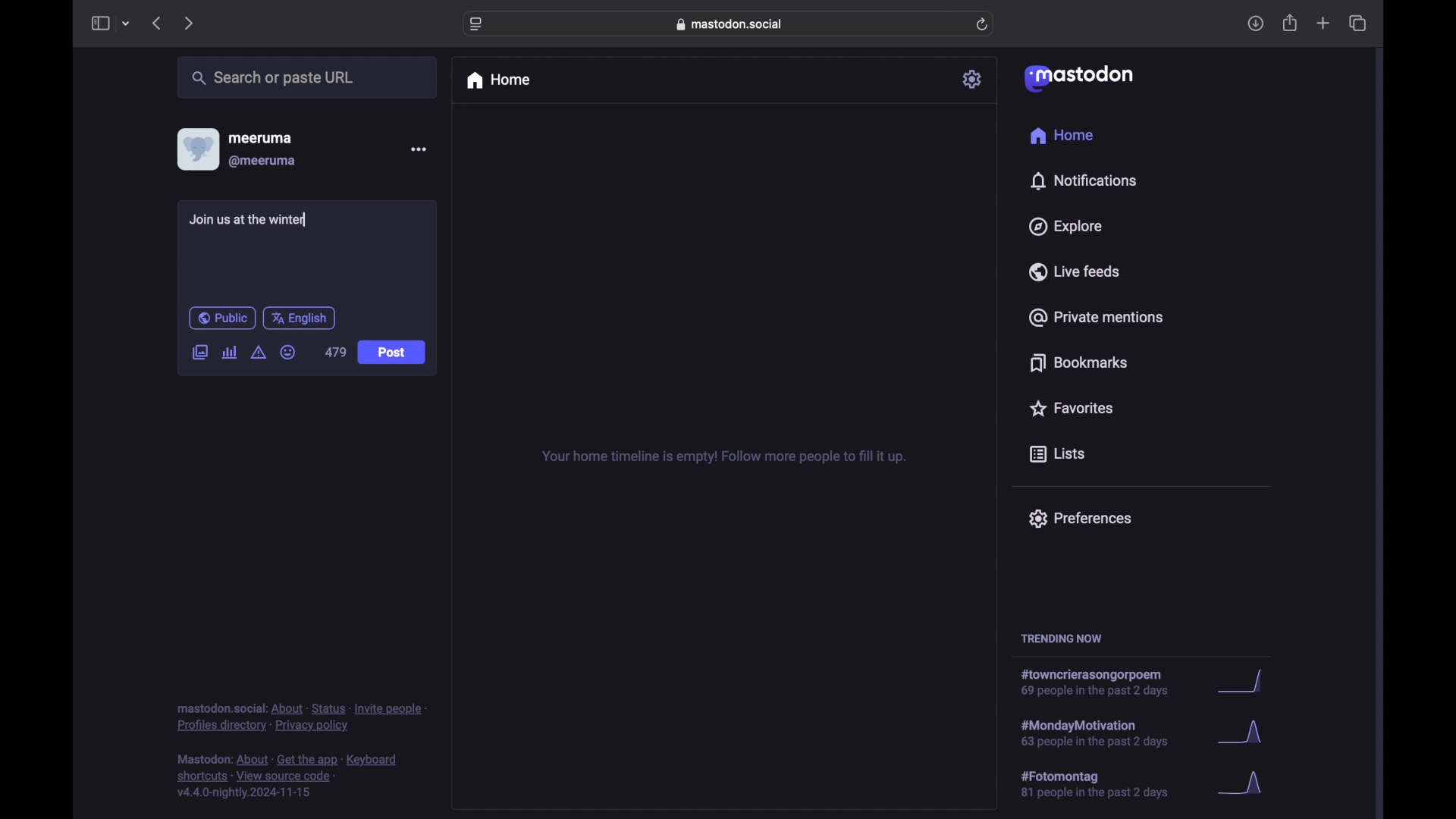 Image resolution: width=1456 pixels, height=819 pixels. I want to click on add content warning, so click(258, 353).